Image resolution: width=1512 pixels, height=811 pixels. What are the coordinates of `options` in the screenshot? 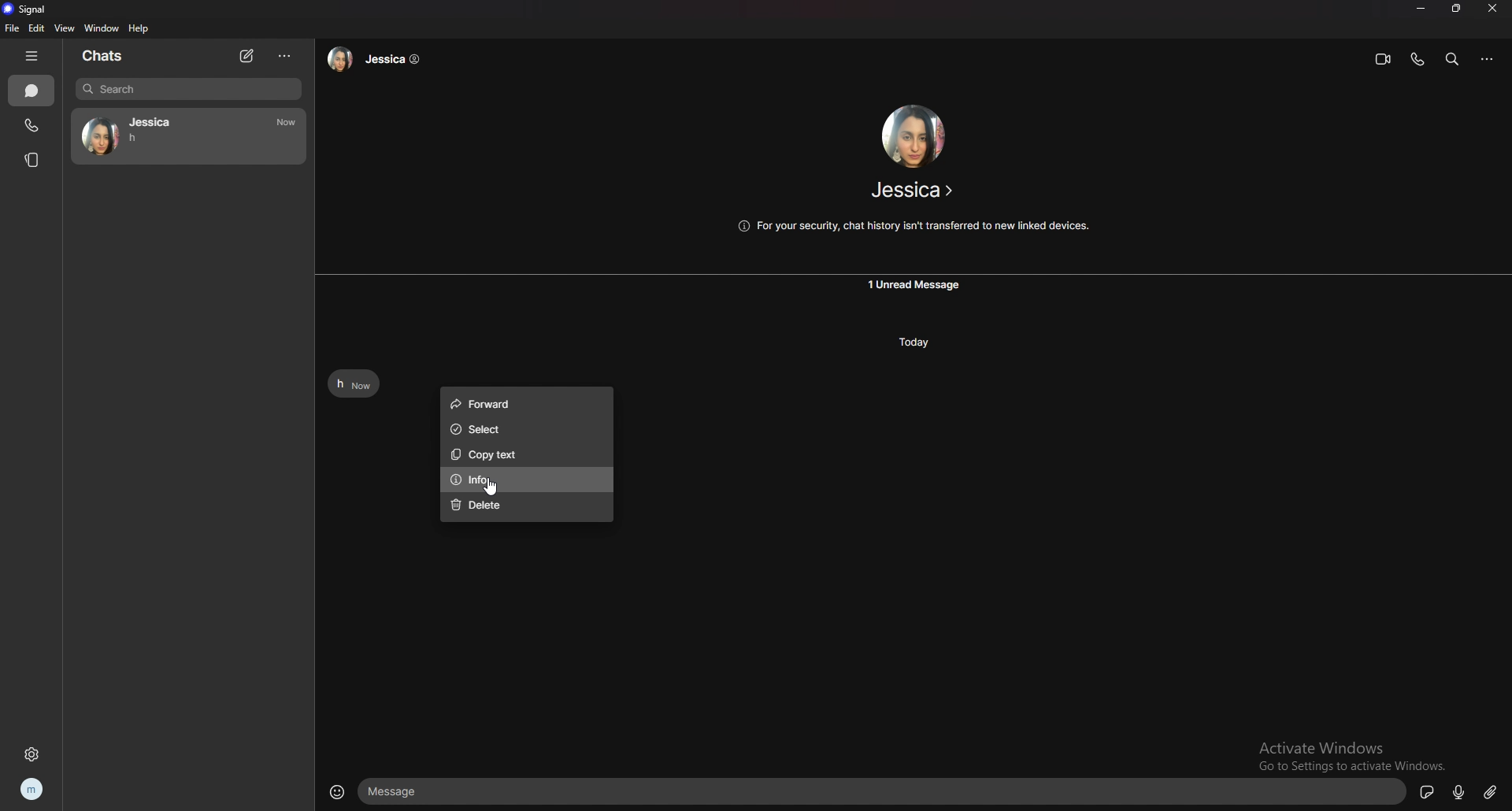 It's located at (1491, 59).